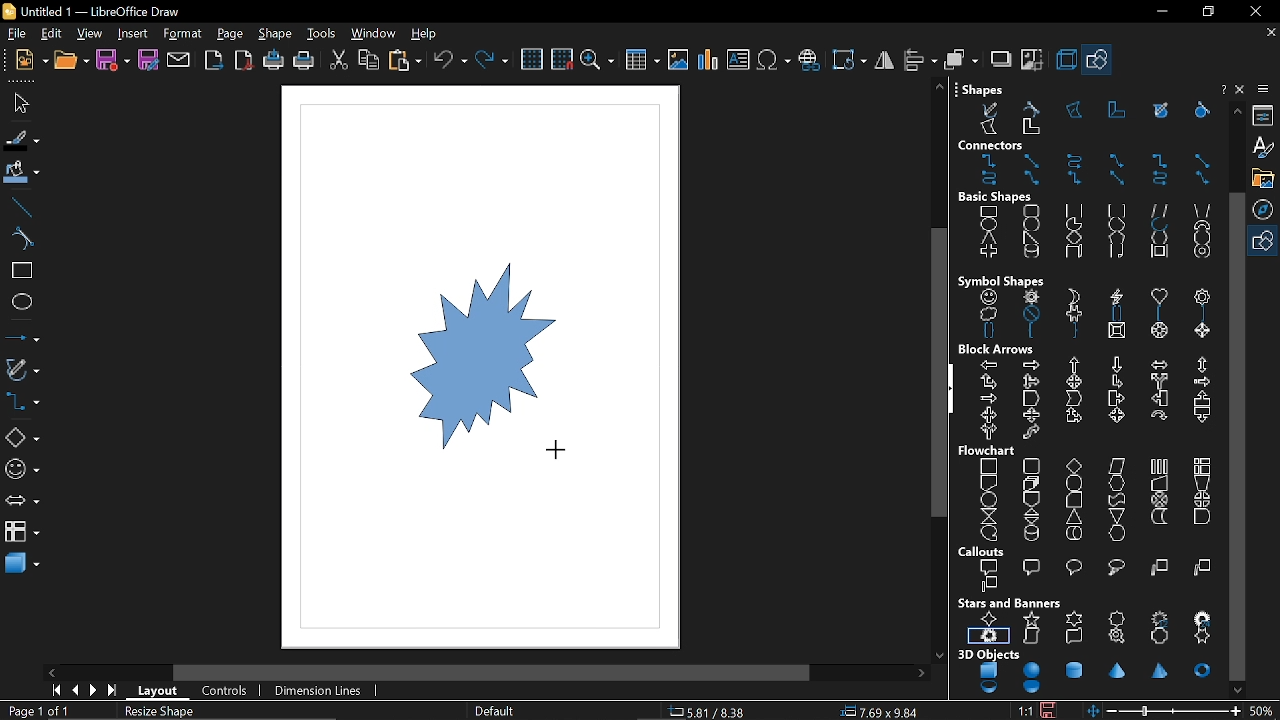  Describe the element at coordinates (496, 671) in the screenshot. I see `Horizontal scroll bar` at that location.